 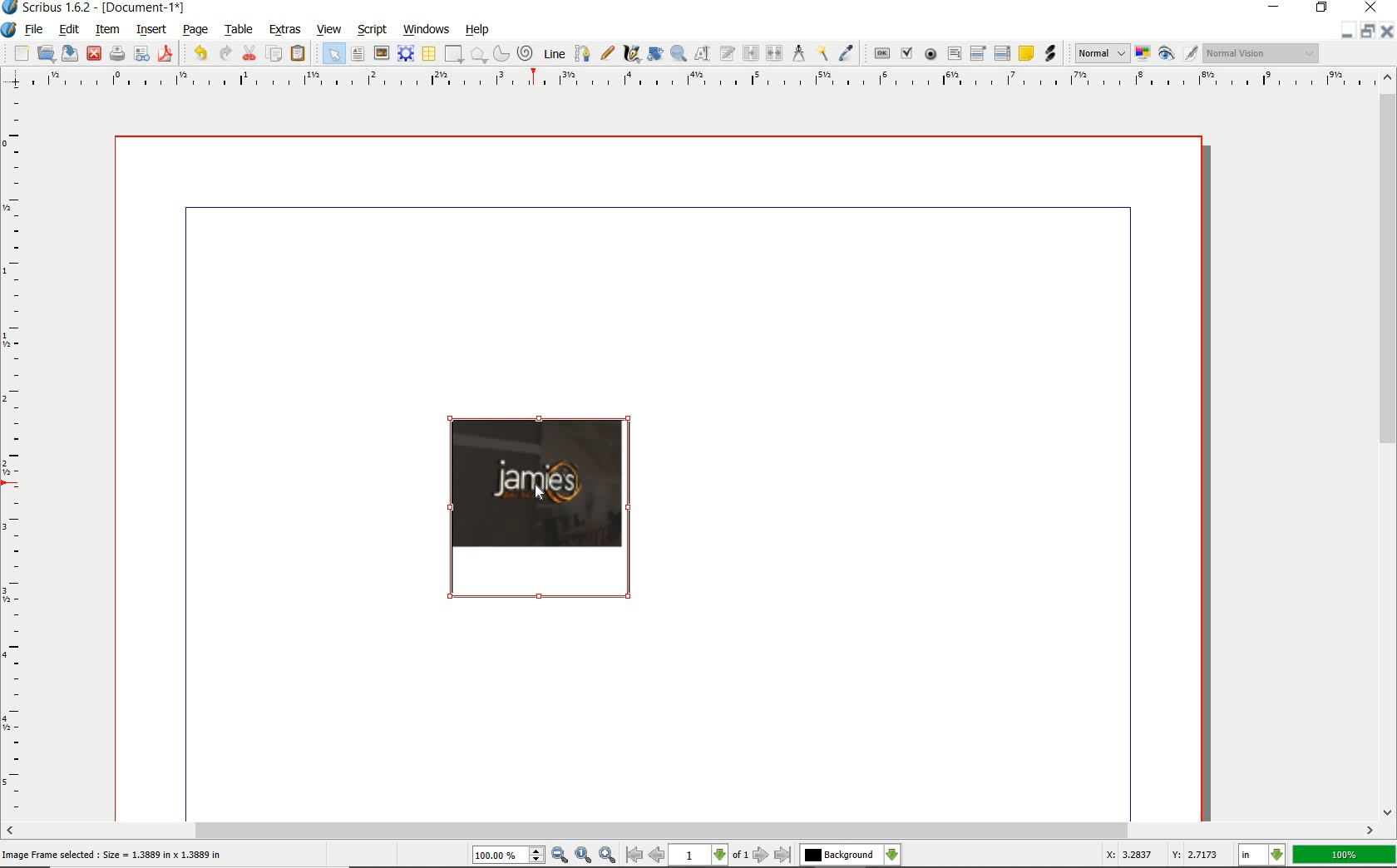 I want to click on pdf push button, so click(x=882, y=54).